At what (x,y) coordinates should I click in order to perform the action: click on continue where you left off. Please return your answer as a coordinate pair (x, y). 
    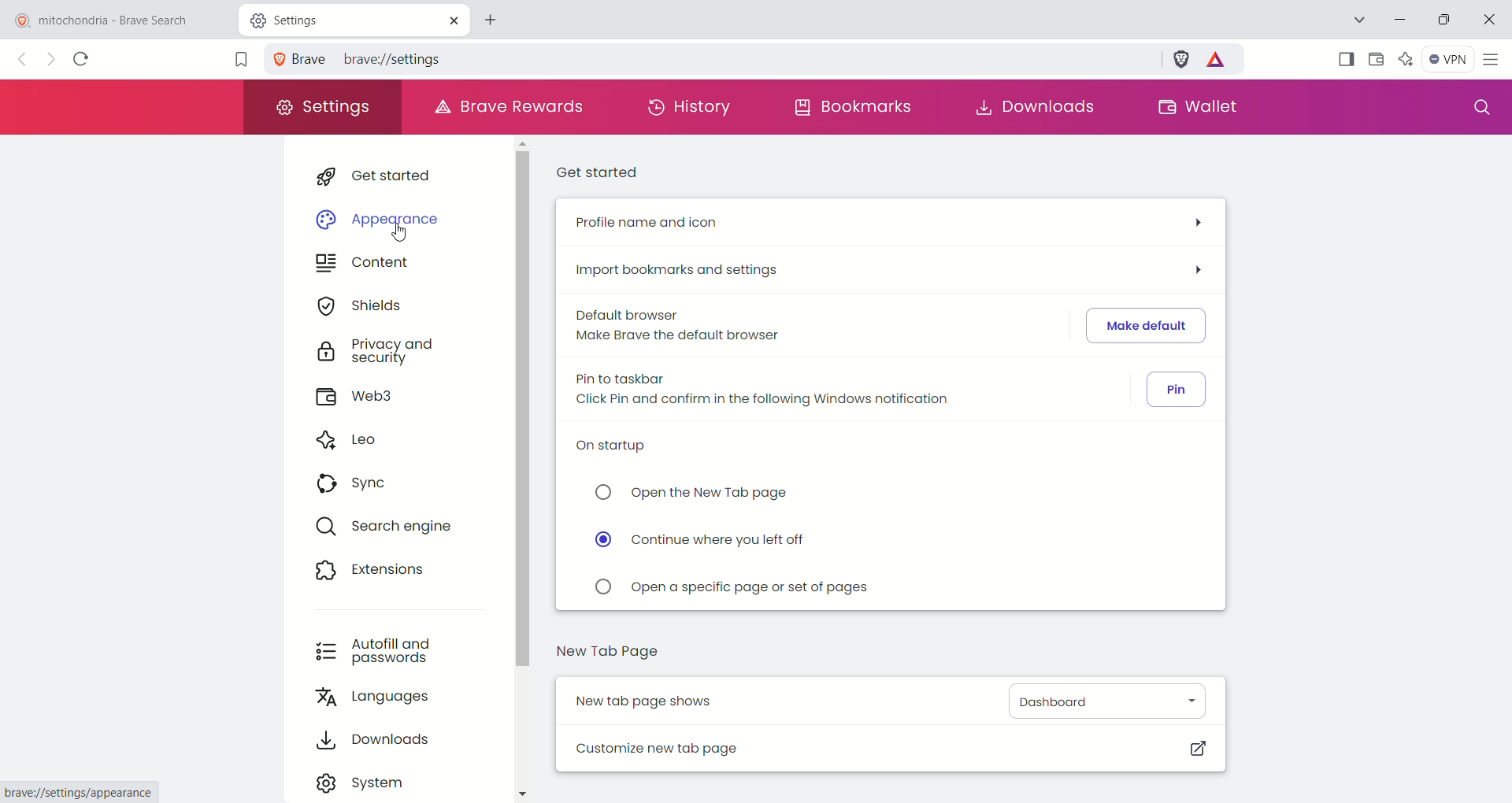
    Looking at the image, I should click on (705, 542).